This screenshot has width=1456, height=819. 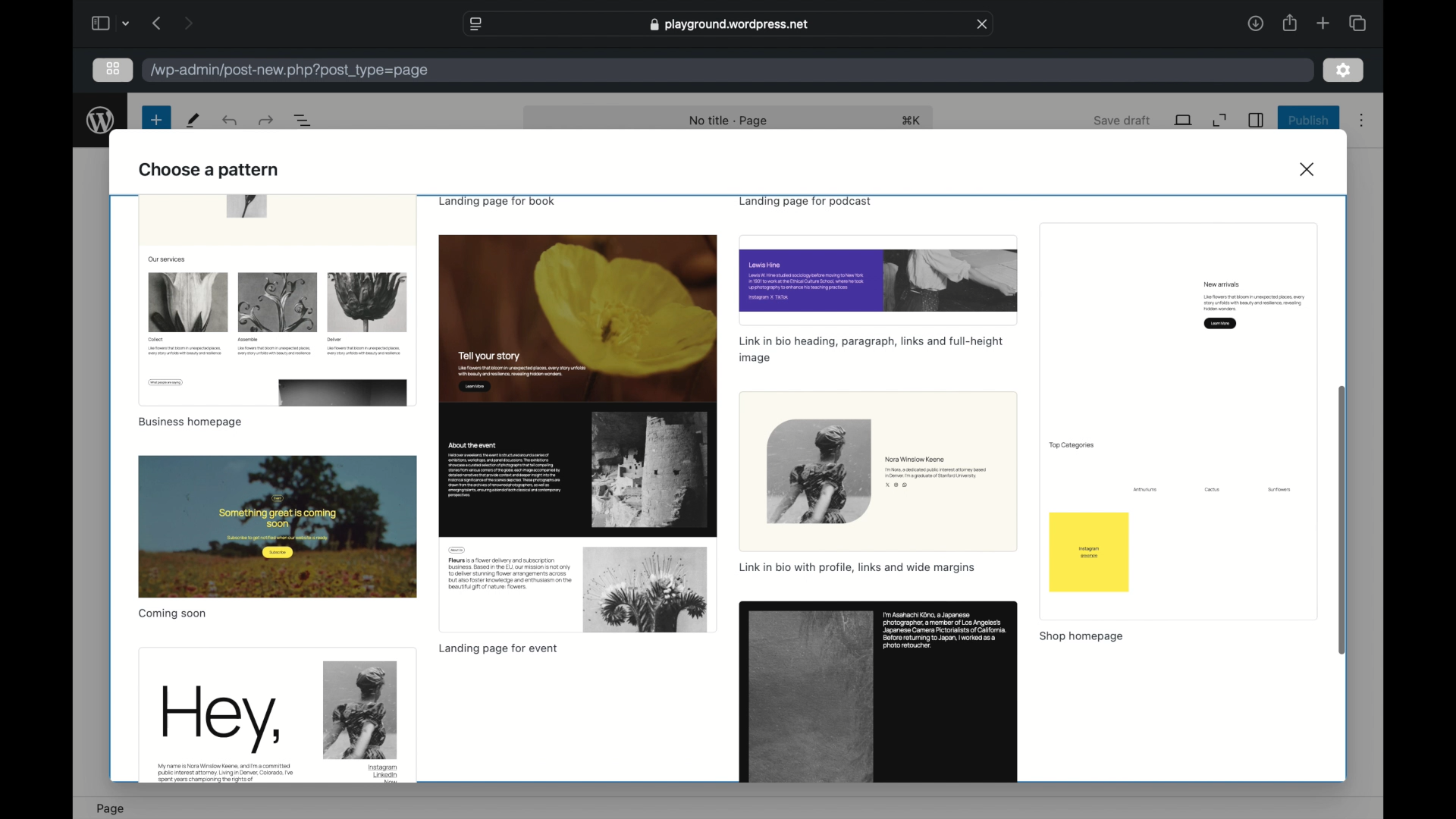 I want to click on downloads, so click(x=1255, y=23).